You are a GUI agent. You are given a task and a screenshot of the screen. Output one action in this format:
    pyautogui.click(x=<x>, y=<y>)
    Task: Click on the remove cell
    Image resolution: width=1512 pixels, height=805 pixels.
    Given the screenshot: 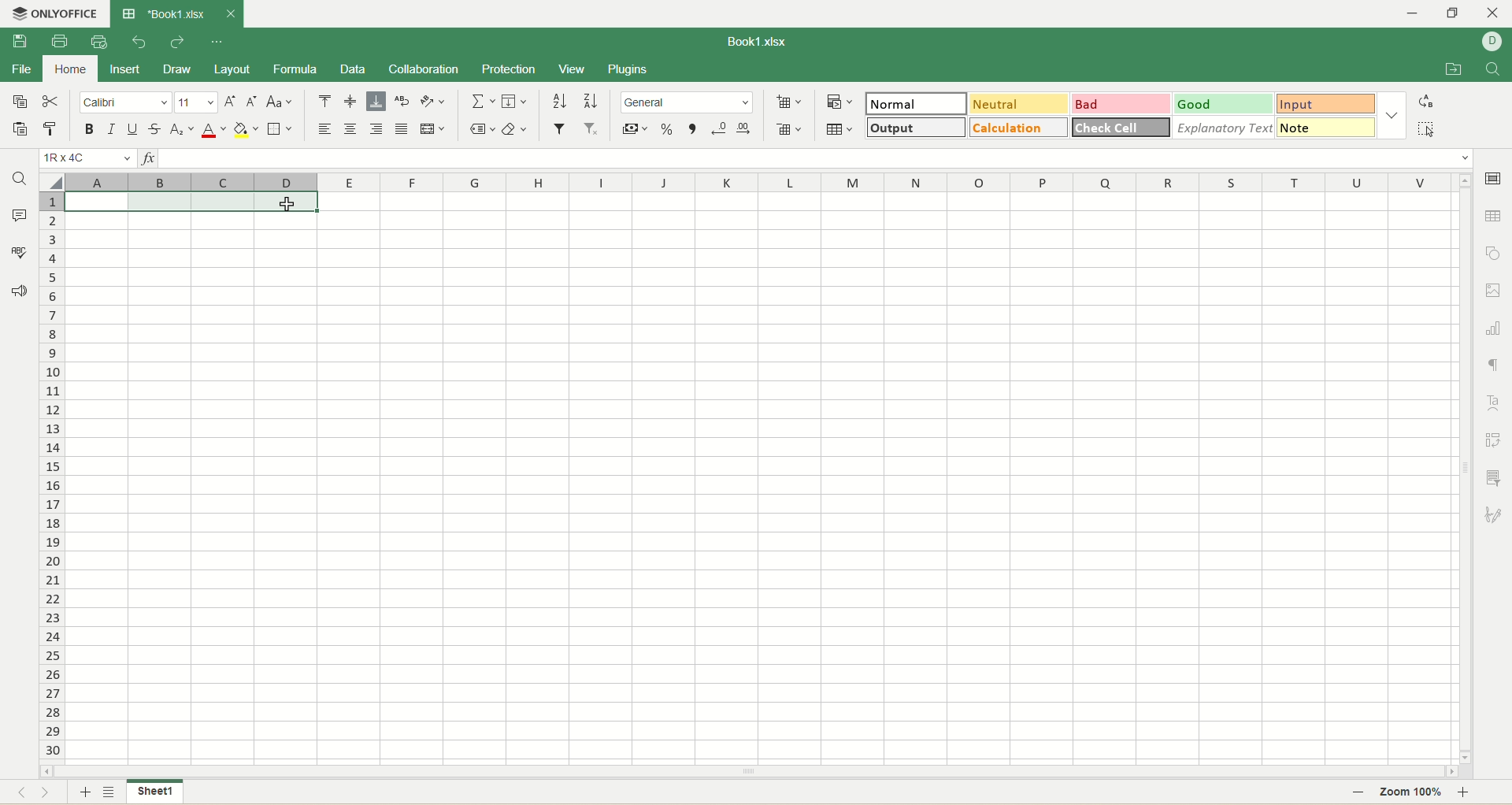 What is the action you would take?
    pyautogui.click(x=788, y=128)
    